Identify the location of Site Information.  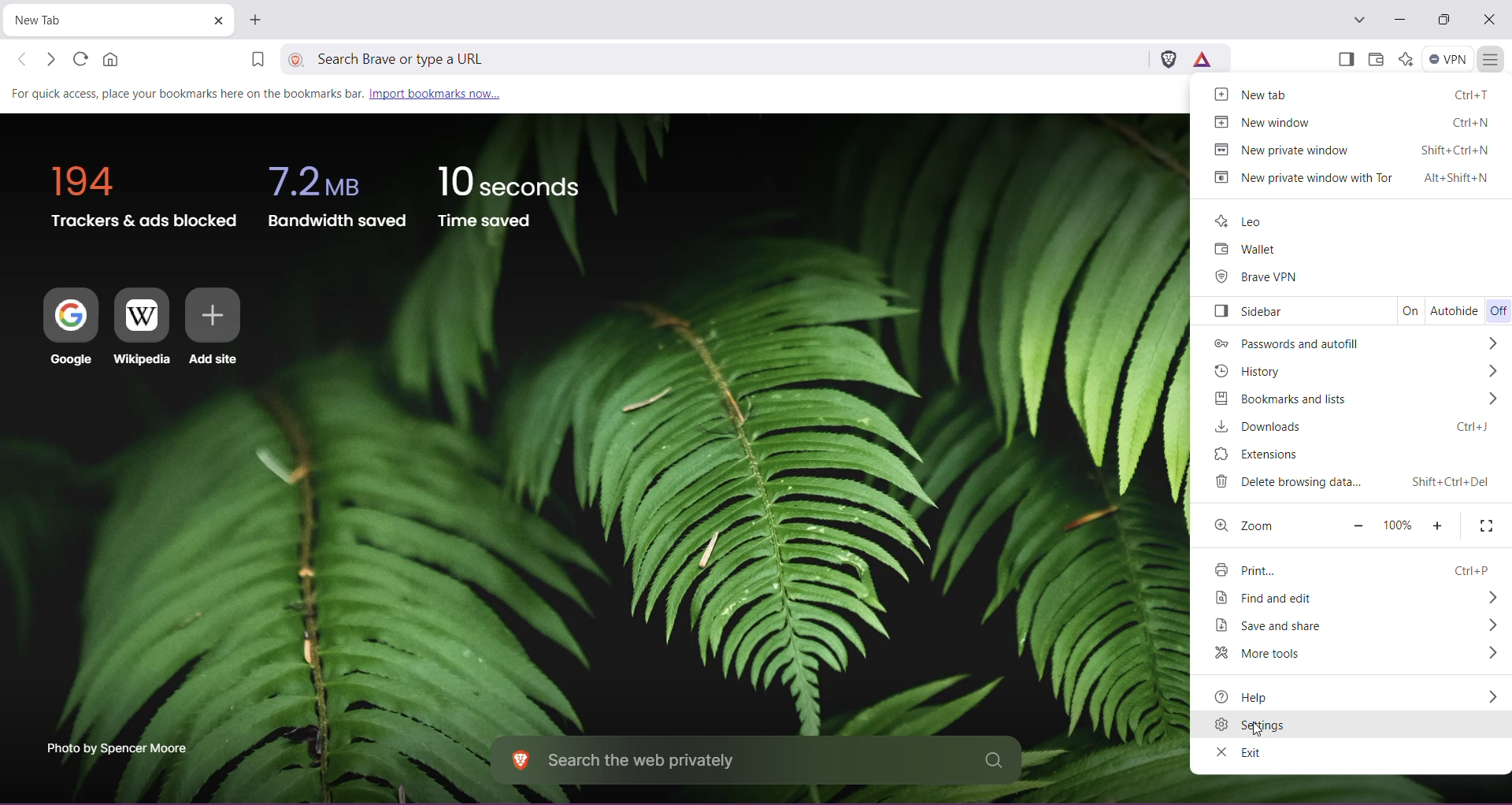
(298, 58).